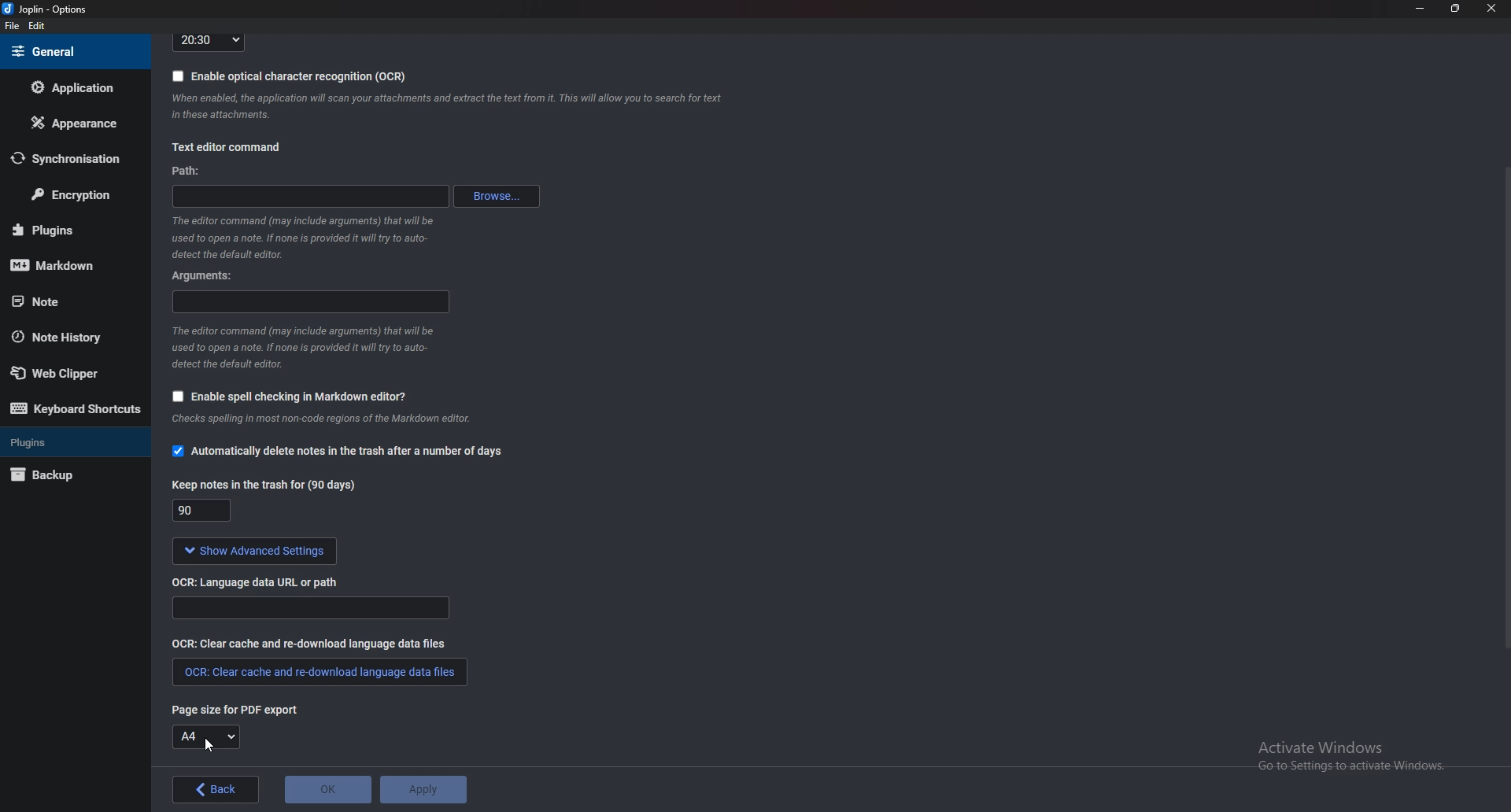 This screenshot has width=1511, height=812. Describe the element at coordinates (267, 484) in the screenshot. I see `Keep notes in the trash for` at that location.